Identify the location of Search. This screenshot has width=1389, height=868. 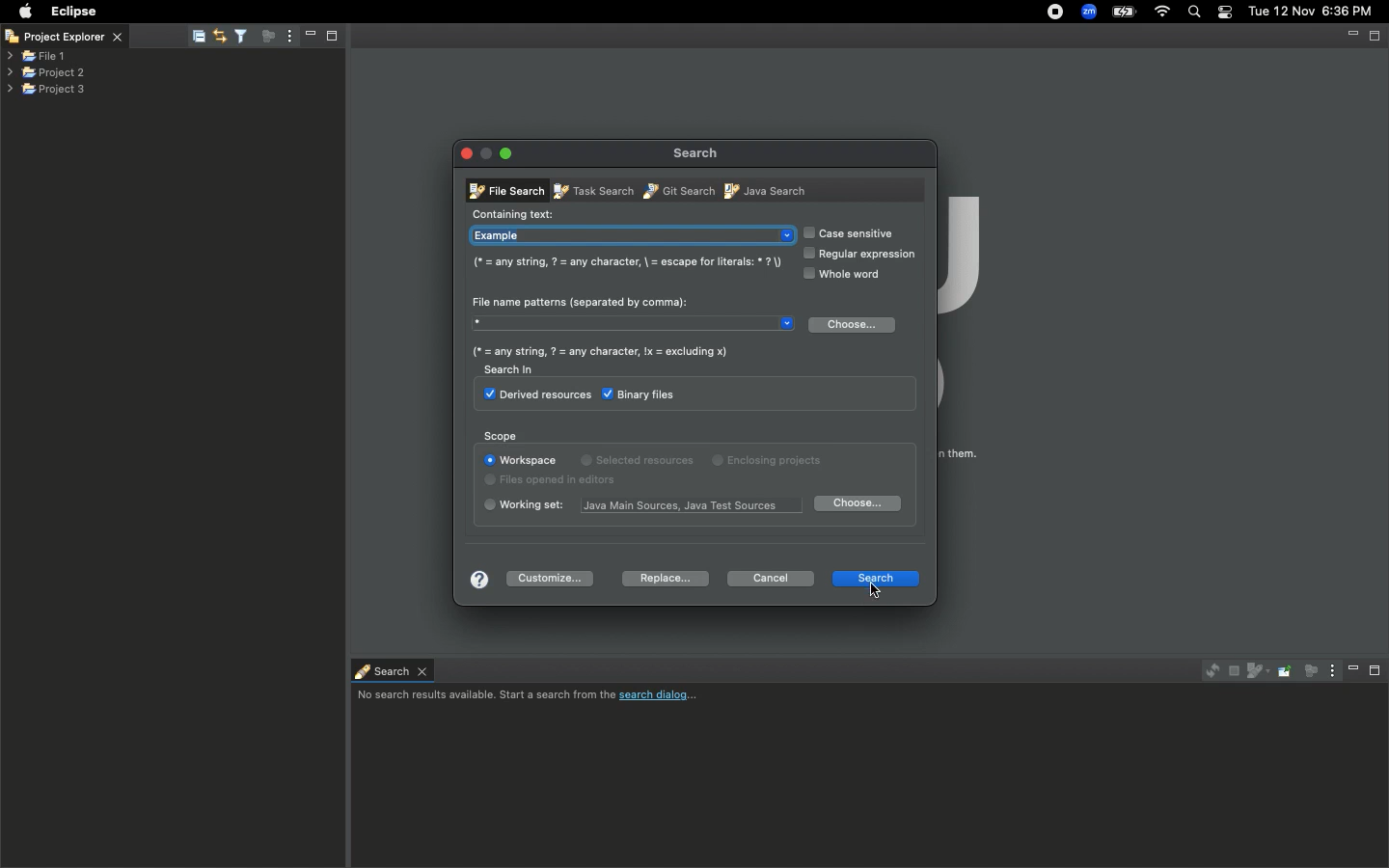
(875, 577).